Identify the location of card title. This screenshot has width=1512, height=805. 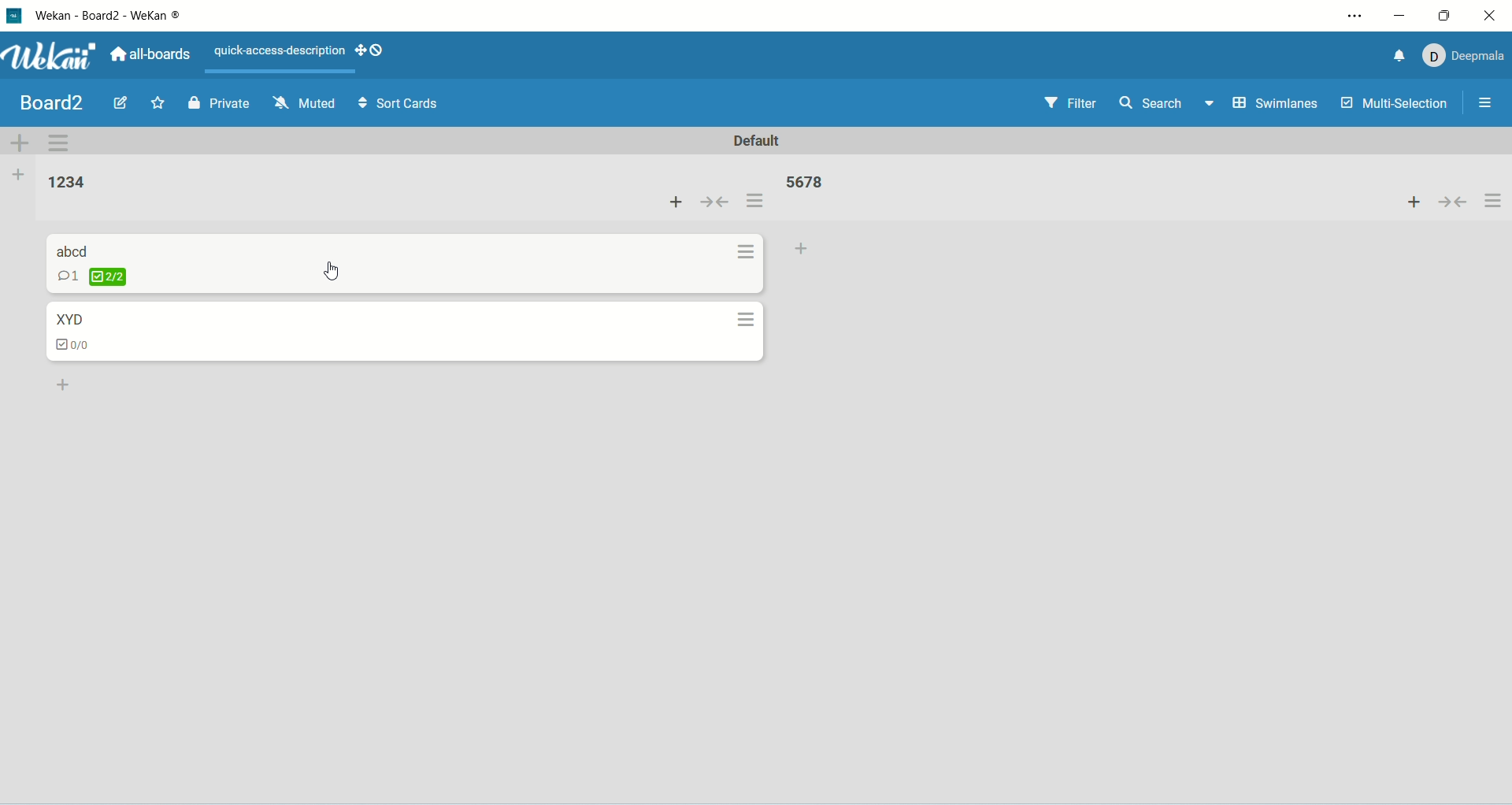
(74, 252).